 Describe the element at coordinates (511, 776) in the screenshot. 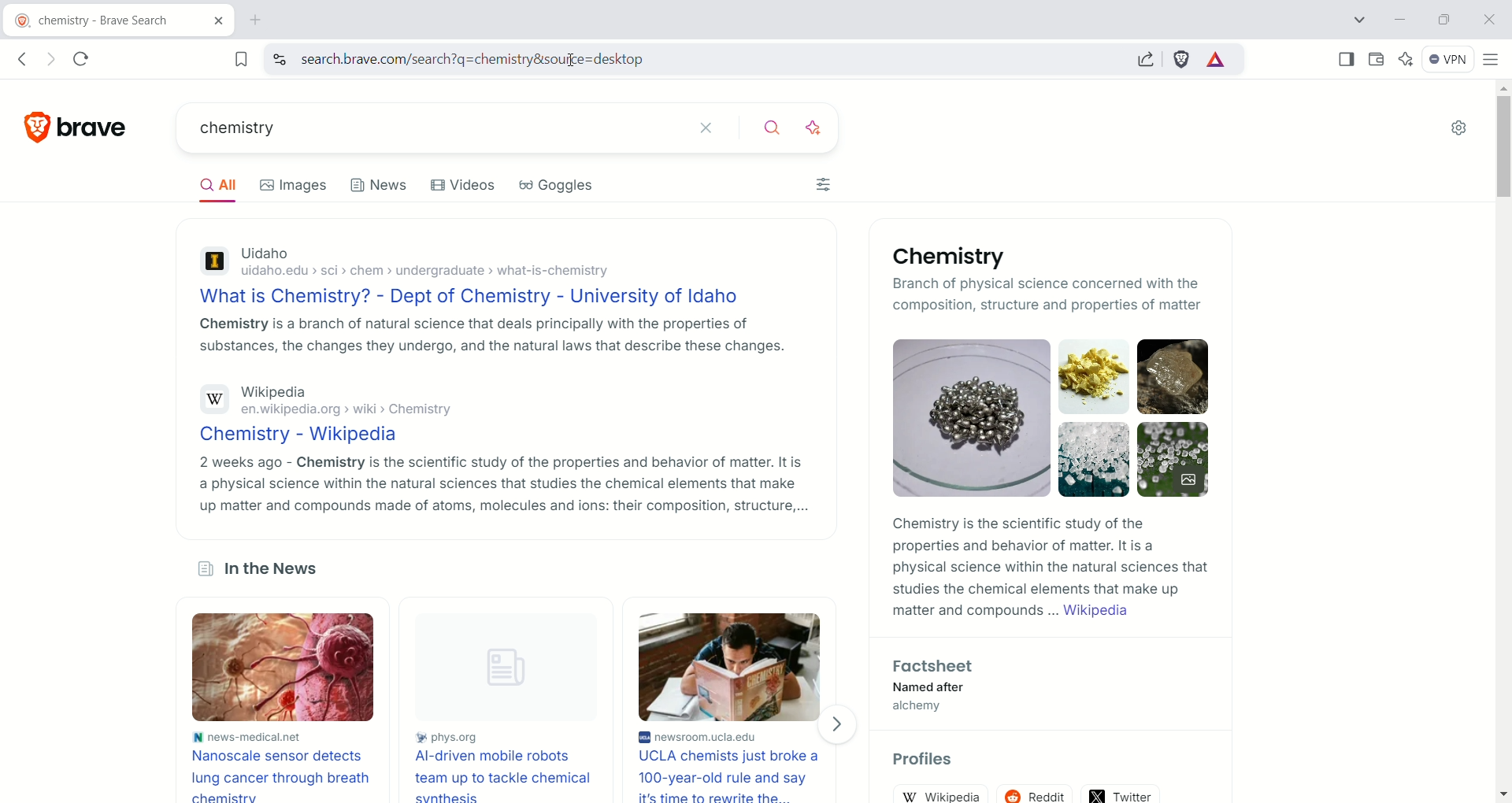

I see `AI-driven mobile robots team up to tackle chemical synthesis` at that location.